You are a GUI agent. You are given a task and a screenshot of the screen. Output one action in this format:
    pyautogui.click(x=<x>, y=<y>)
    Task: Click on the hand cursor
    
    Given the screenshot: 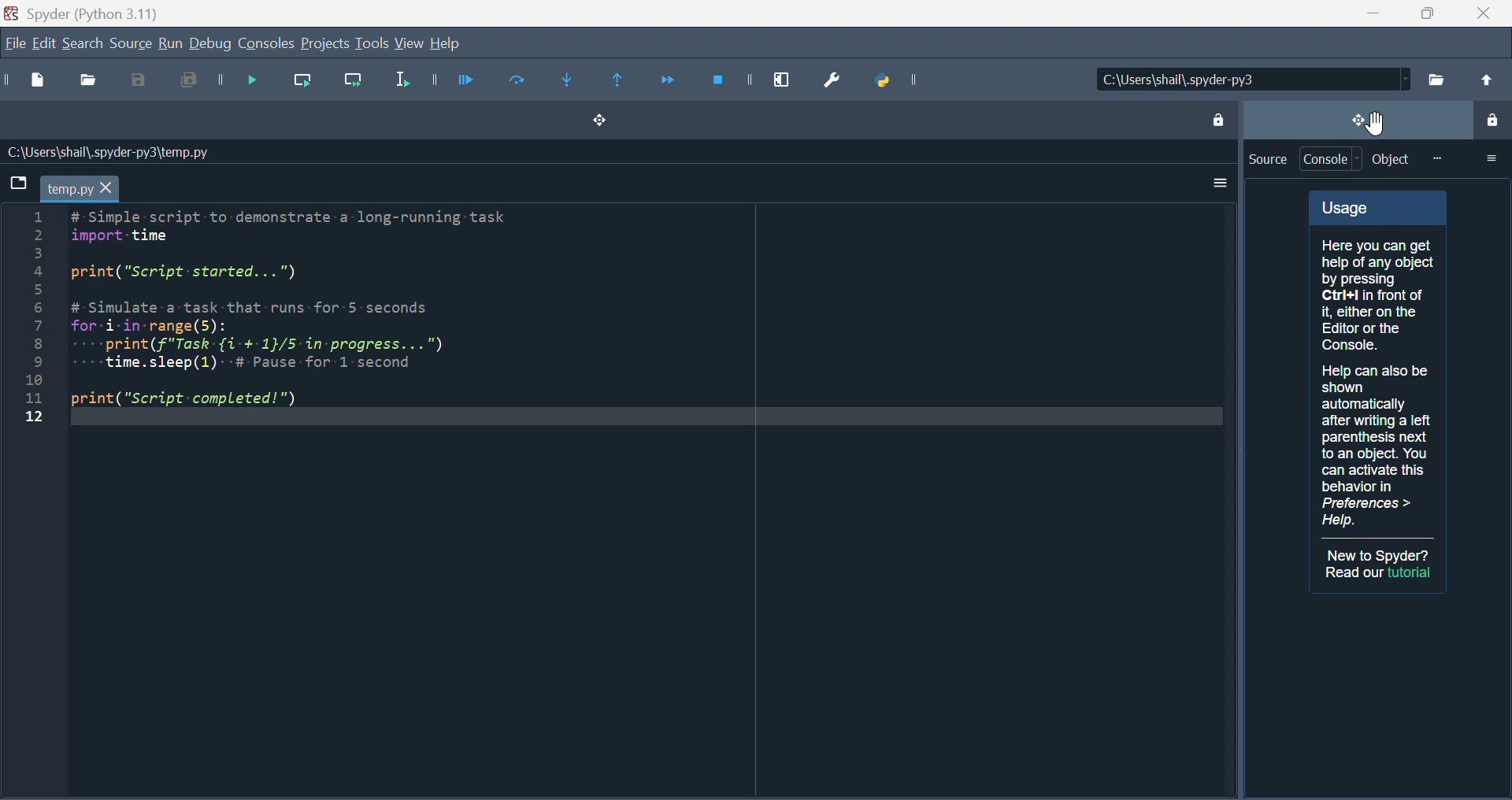 What is the action you would take?
    pyautogui.click(x=1377, y=122)
    